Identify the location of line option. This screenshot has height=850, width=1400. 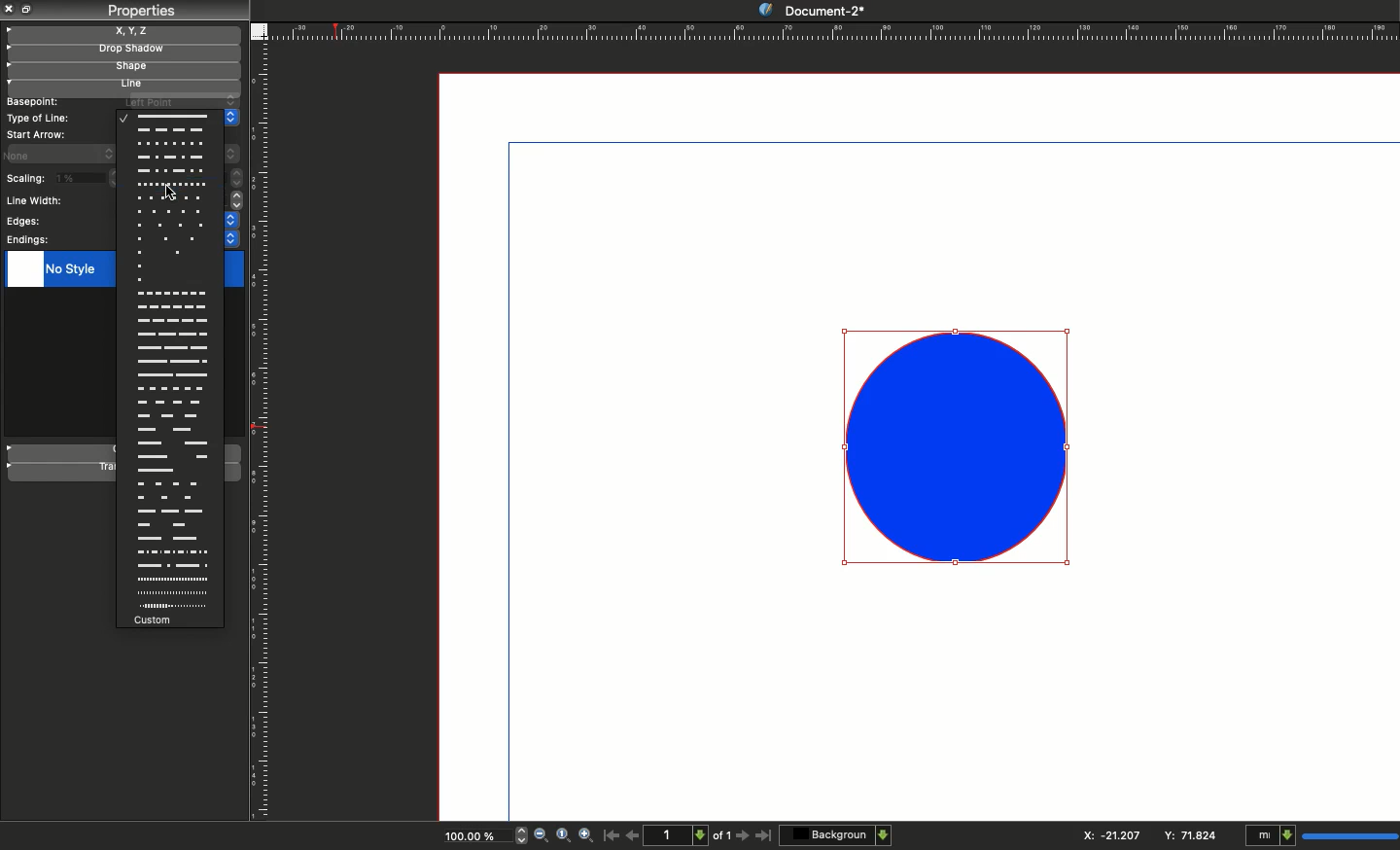
(169, 130).